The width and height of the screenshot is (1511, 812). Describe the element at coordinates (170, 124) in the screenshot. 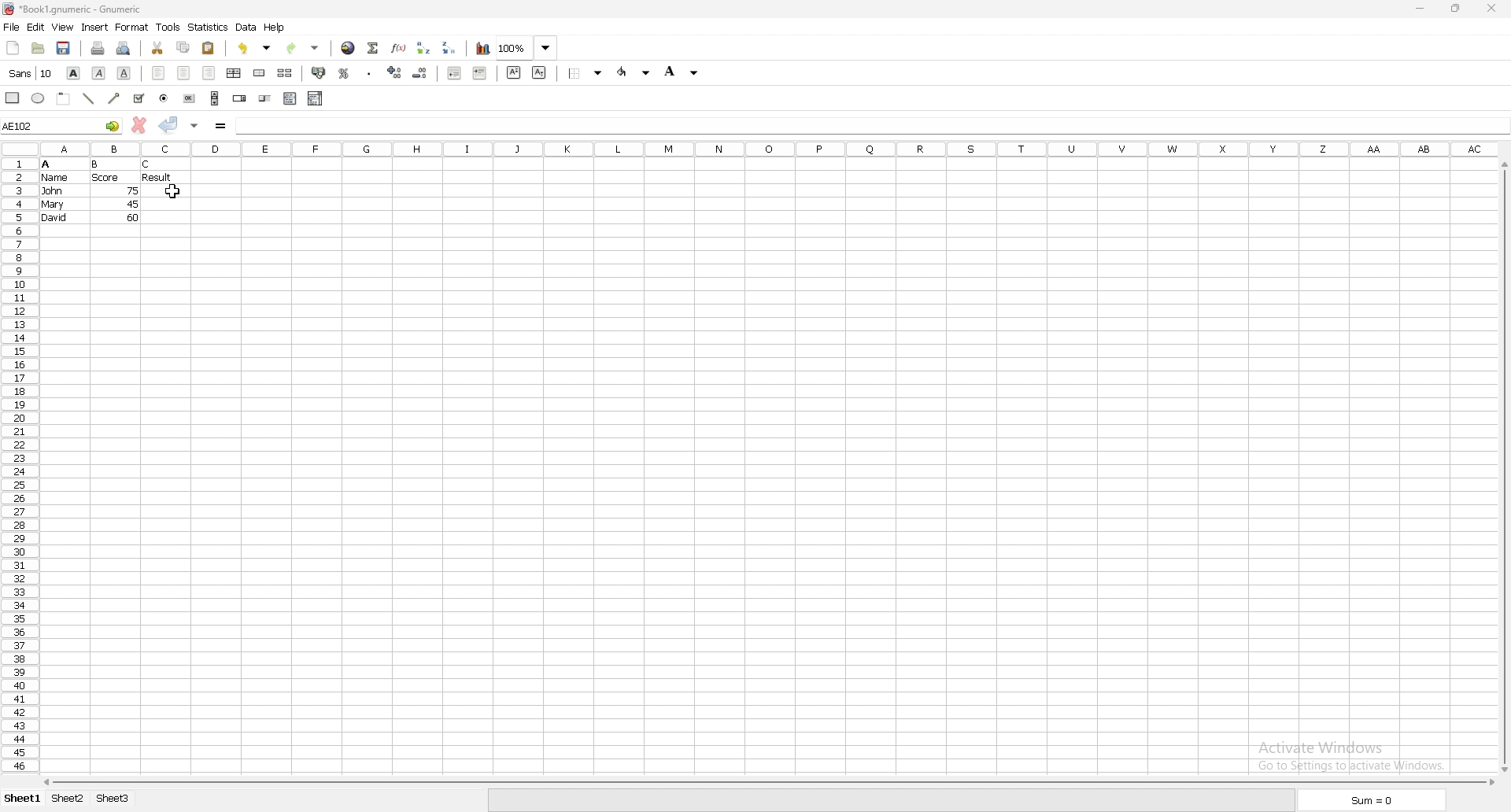

I see `accept change` at that location.